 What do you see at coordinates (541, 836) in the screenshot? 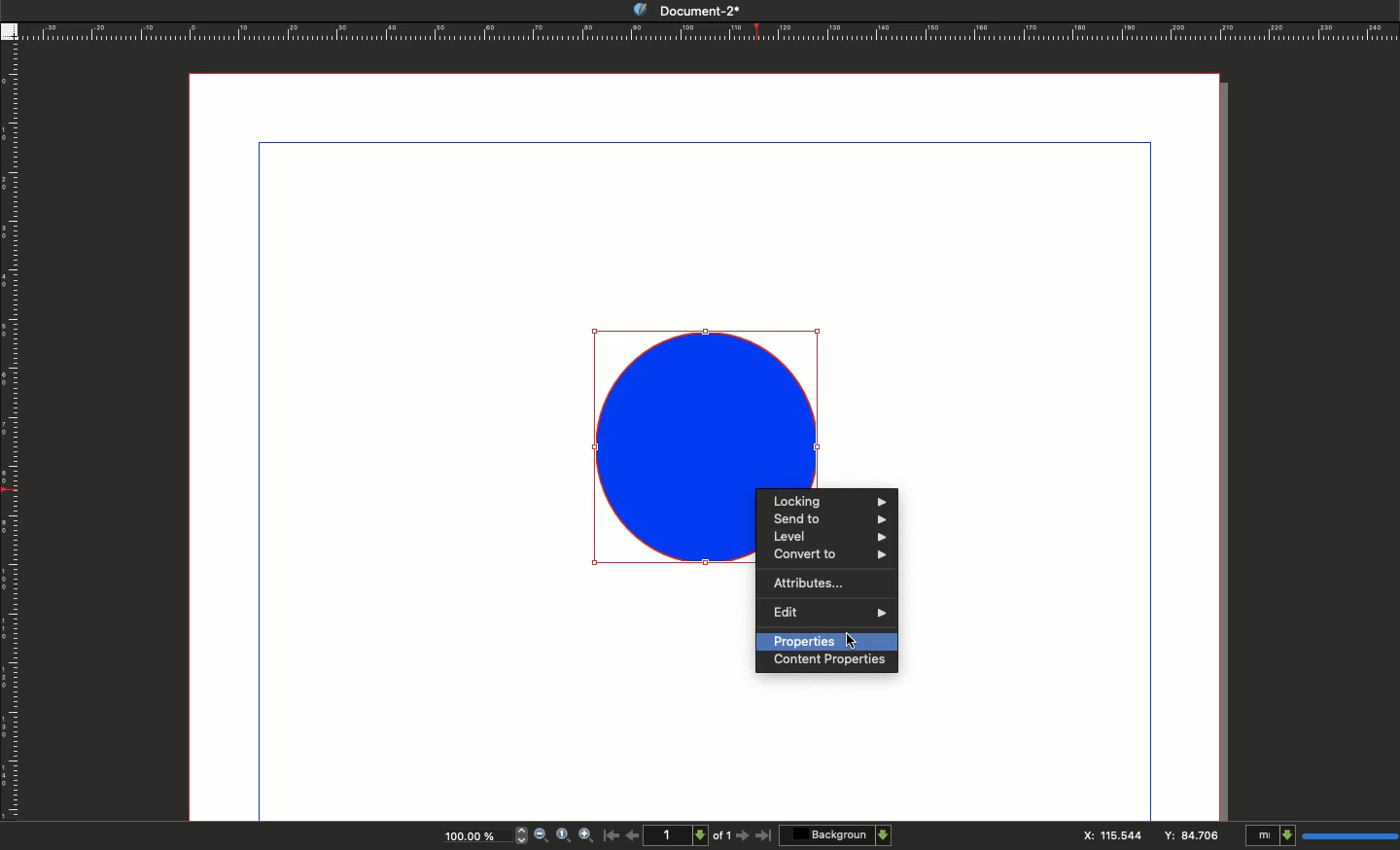
I see `Zoom out` at bounding box center [541, 836].